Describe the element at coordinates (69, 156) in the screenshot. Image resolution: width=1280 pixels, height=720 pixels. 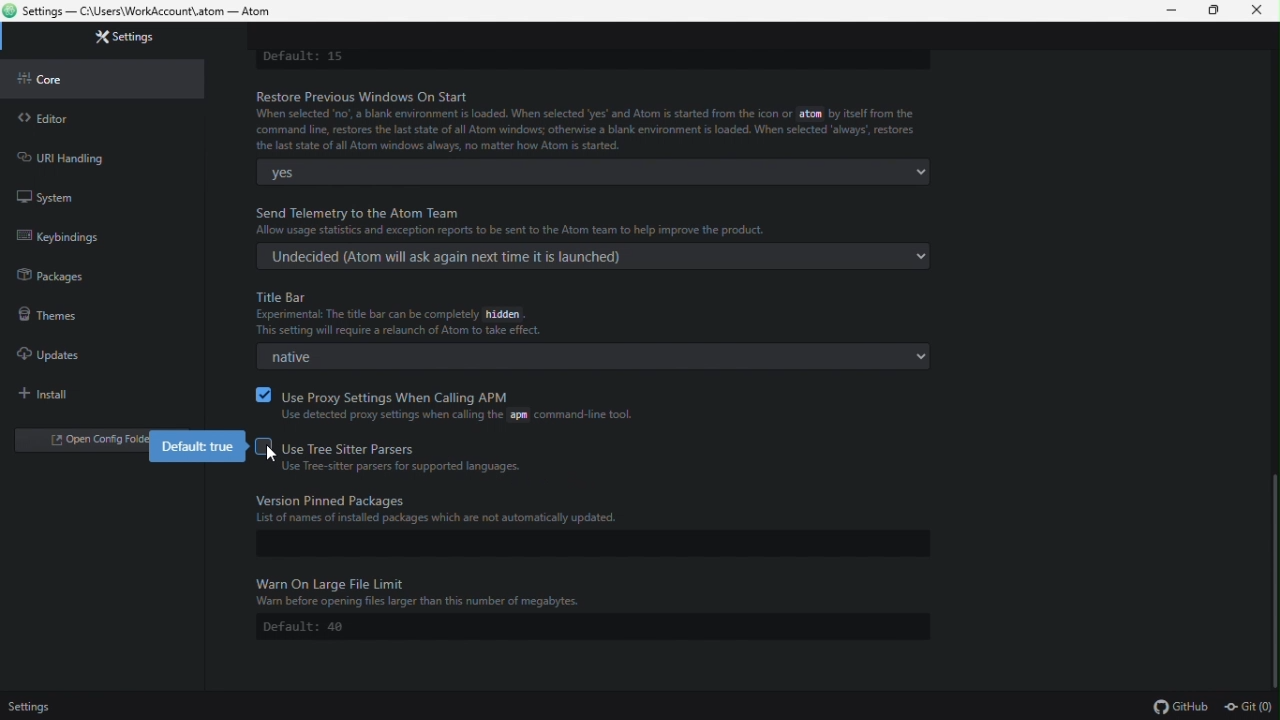
I see `URL handling` at that location.